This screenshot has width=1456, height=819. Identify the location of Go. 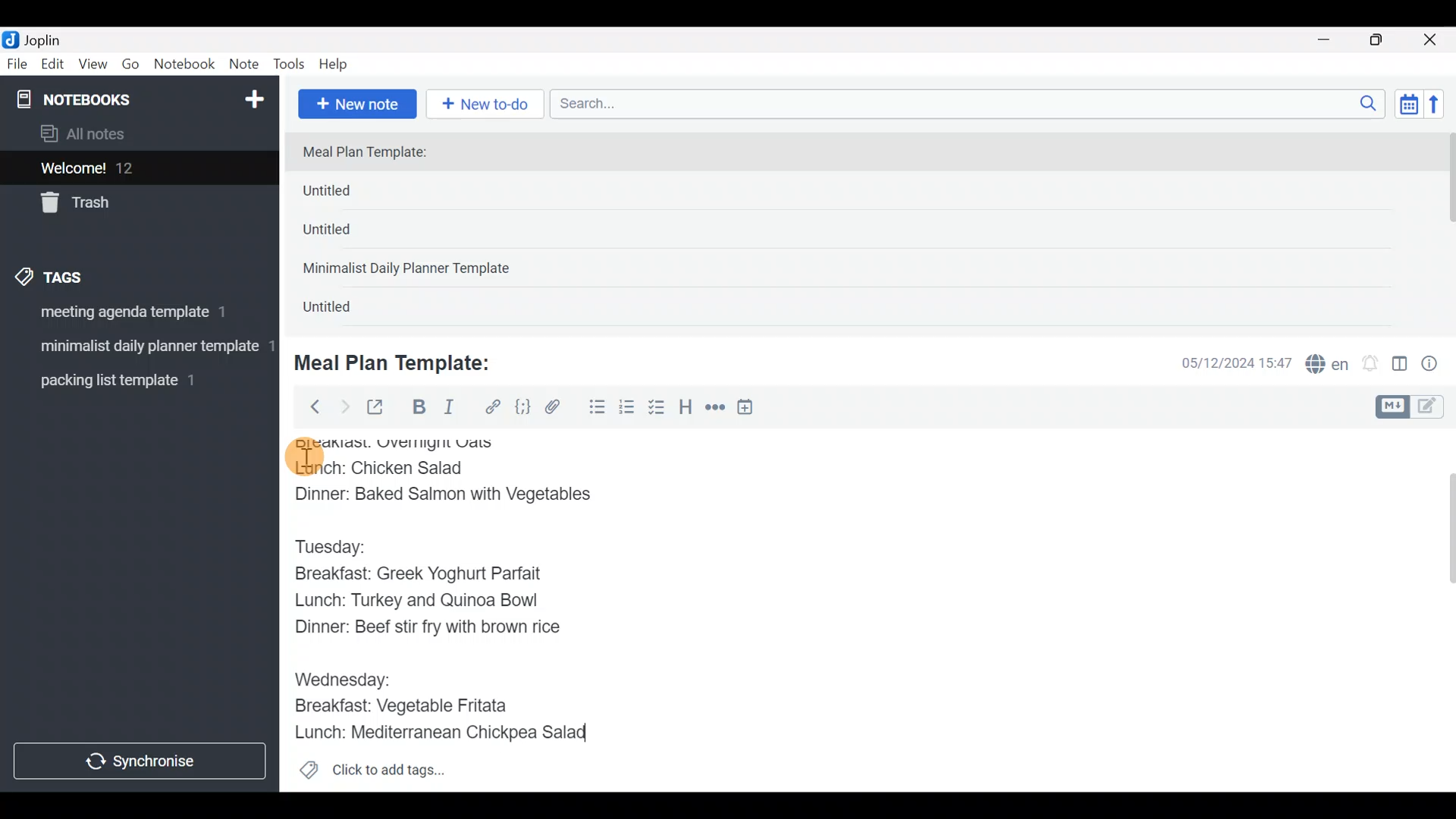
(130, 67).